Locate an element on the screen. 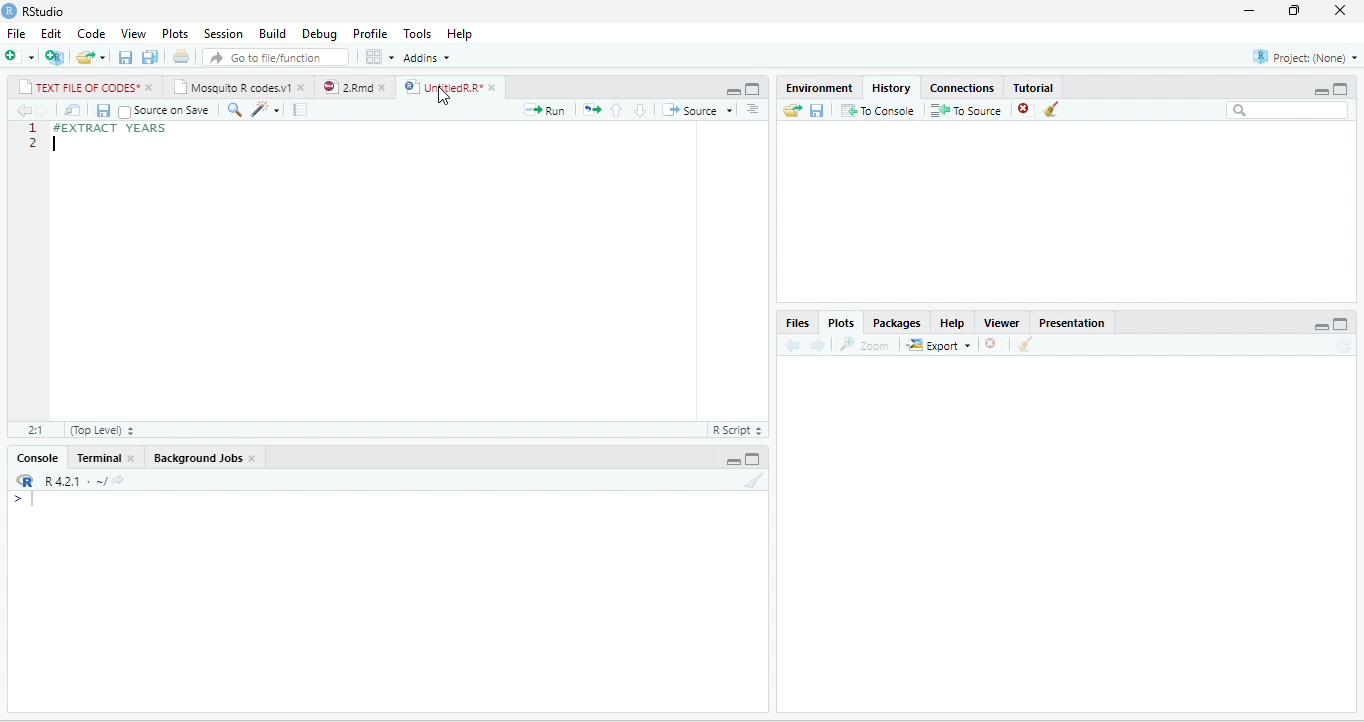  Project(None) is located at coordinates (1305, 57).